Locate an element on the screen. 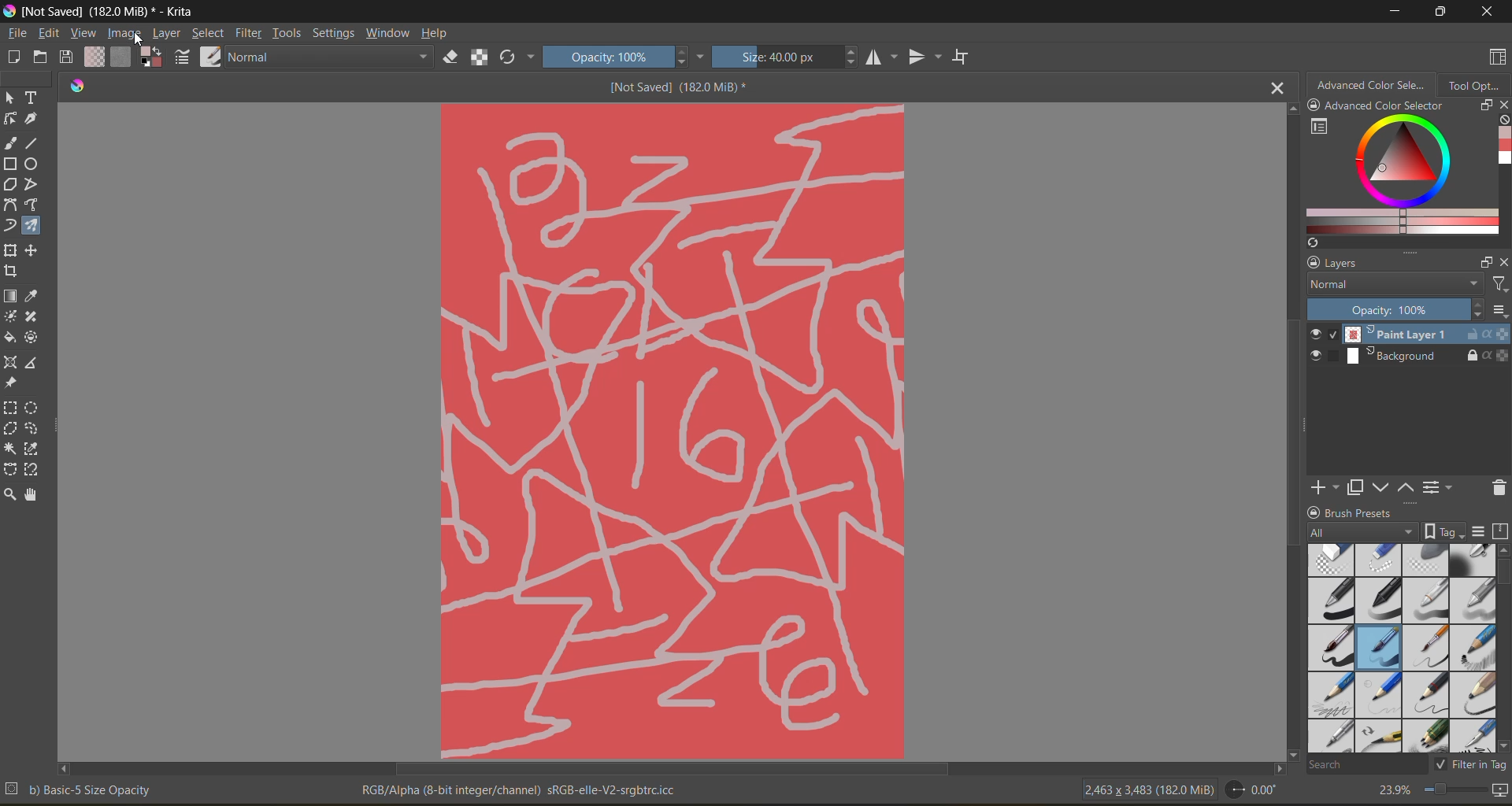  opacity is located at coordinates (628, 55).